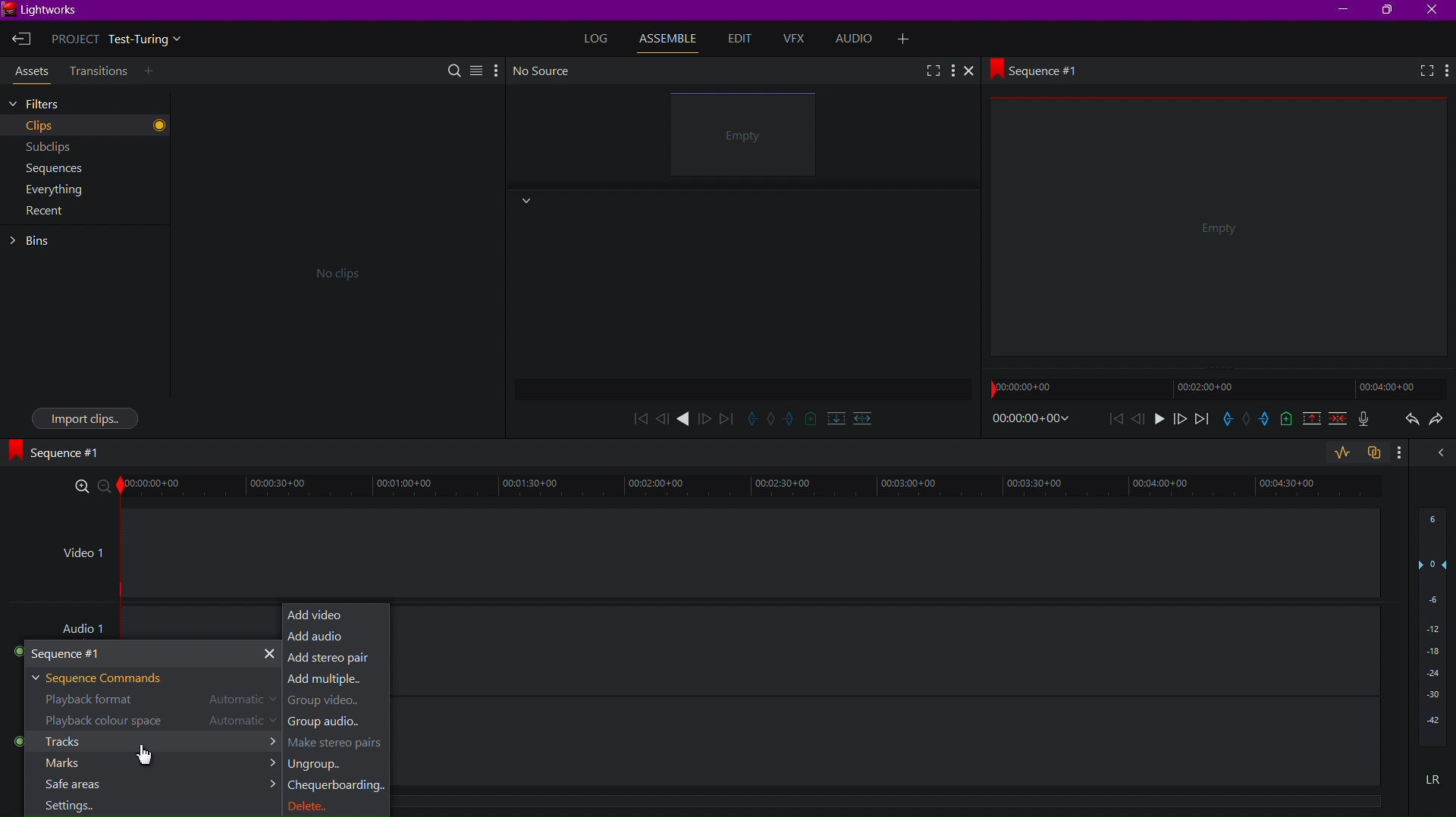  Describe the element at coordinates (152, 72) in the screenshot. I see `Add` at that location.